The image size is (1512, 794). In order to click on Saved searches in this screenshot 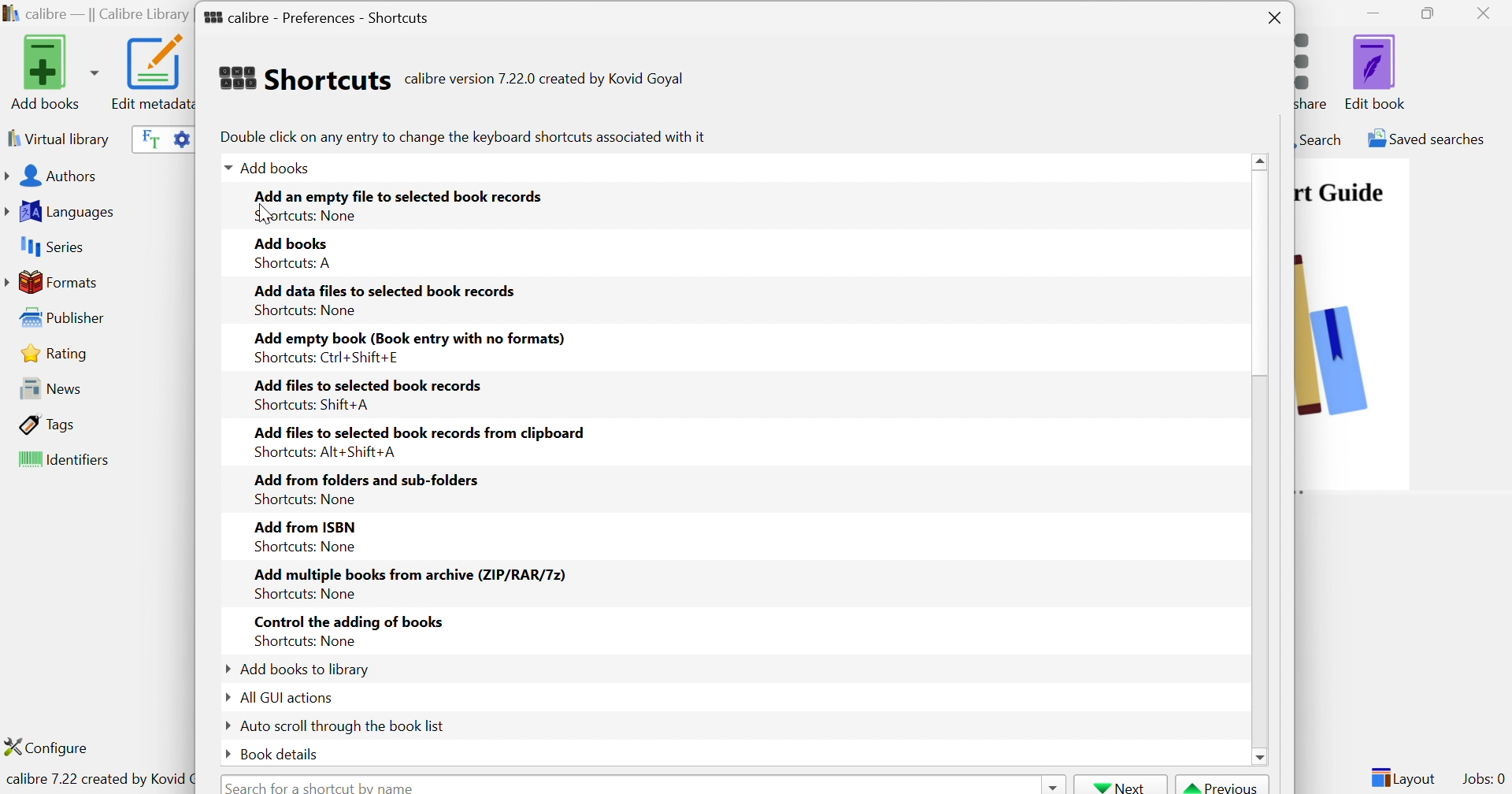, I will do `click(1425, 139)`.